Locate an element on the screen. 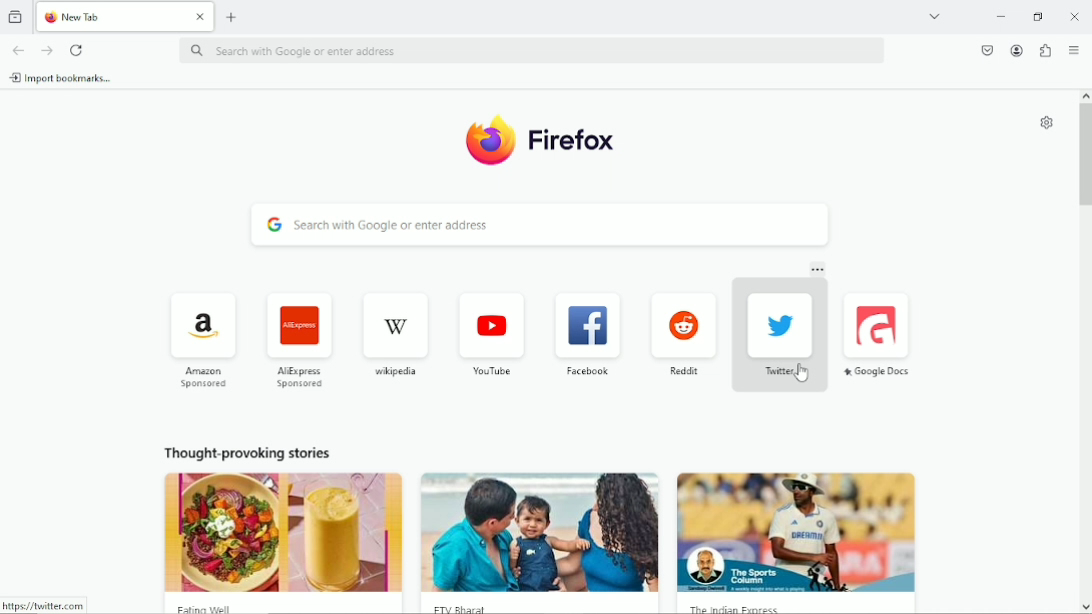  minimize is located at coordinates (999, 17).